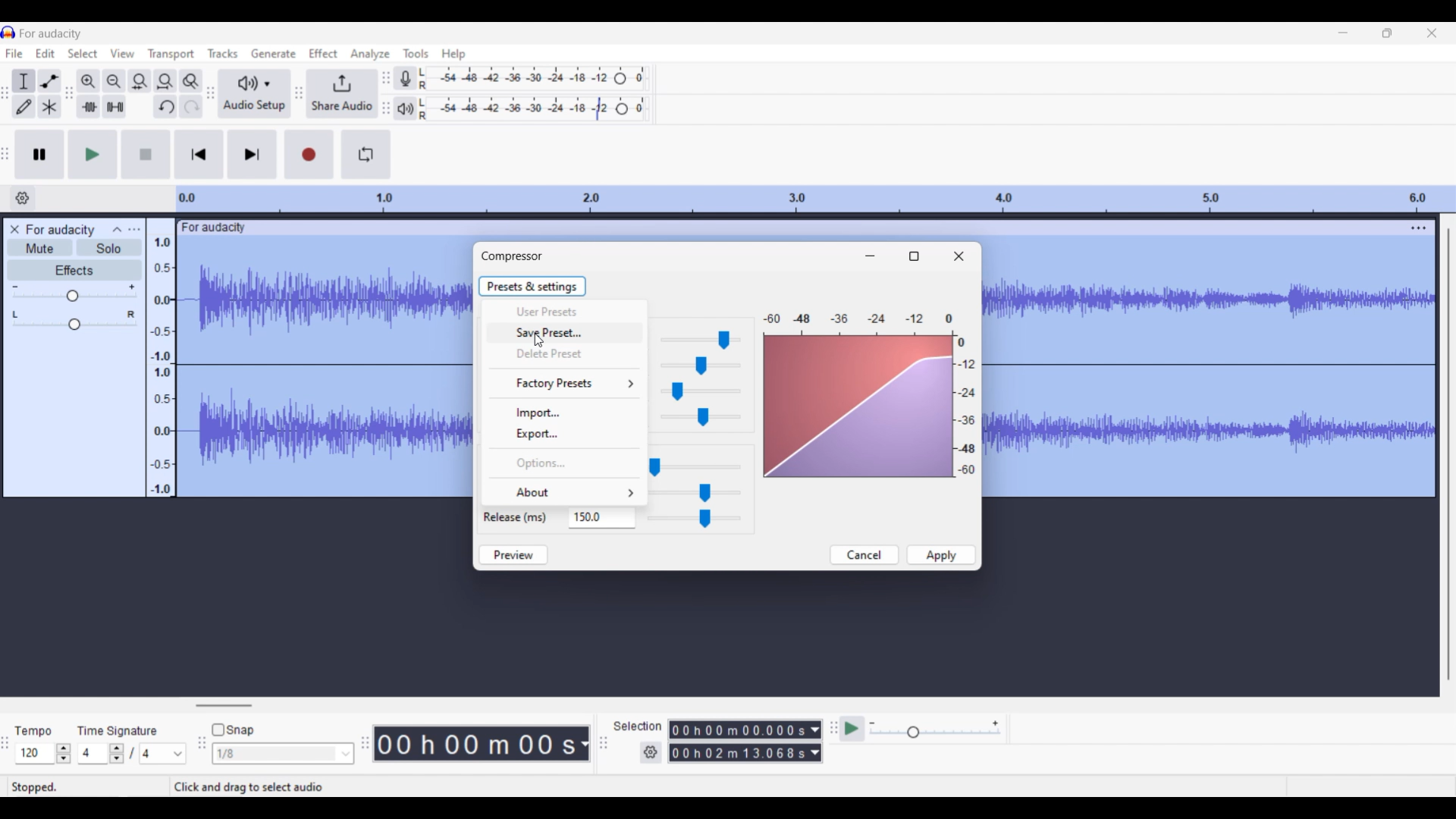 The height and width of the screenshot is (819, 1456). What do you see at coordinates (959, 256) in the screenshot?
I see `Close` at bounding box center [959, 256].